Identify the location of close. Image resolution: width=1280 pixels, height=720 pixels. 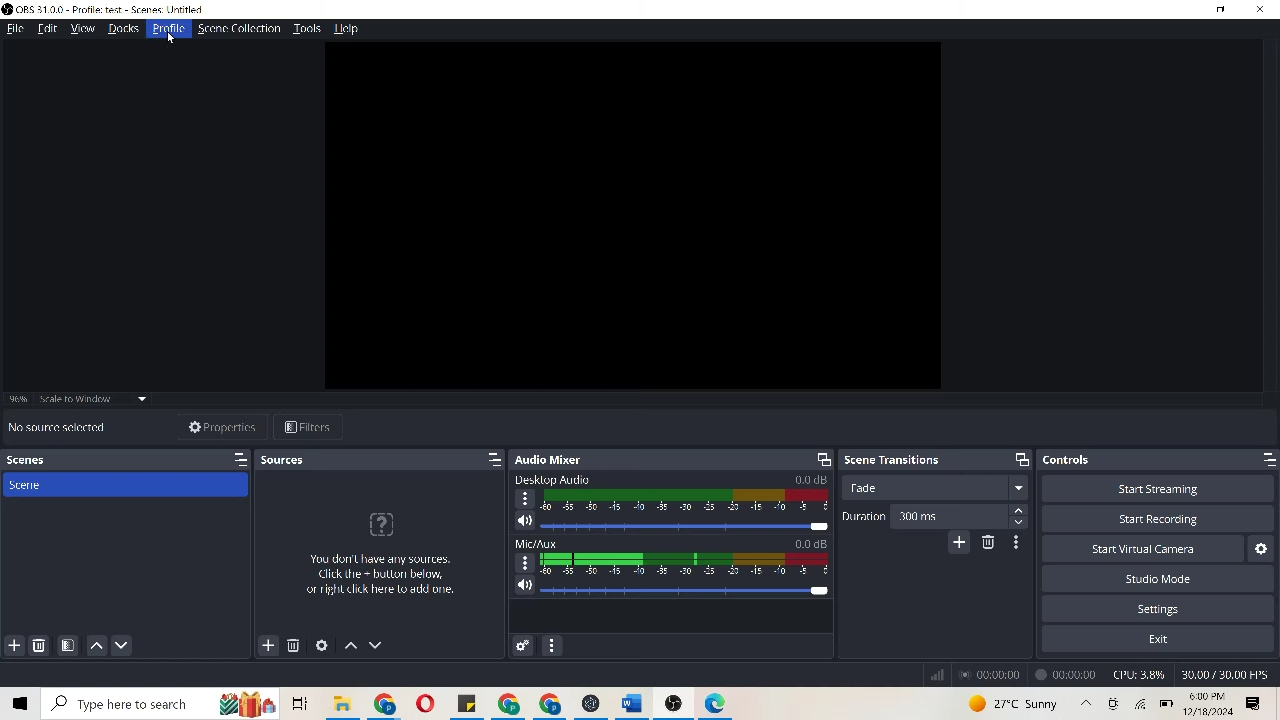
(1260, 10).